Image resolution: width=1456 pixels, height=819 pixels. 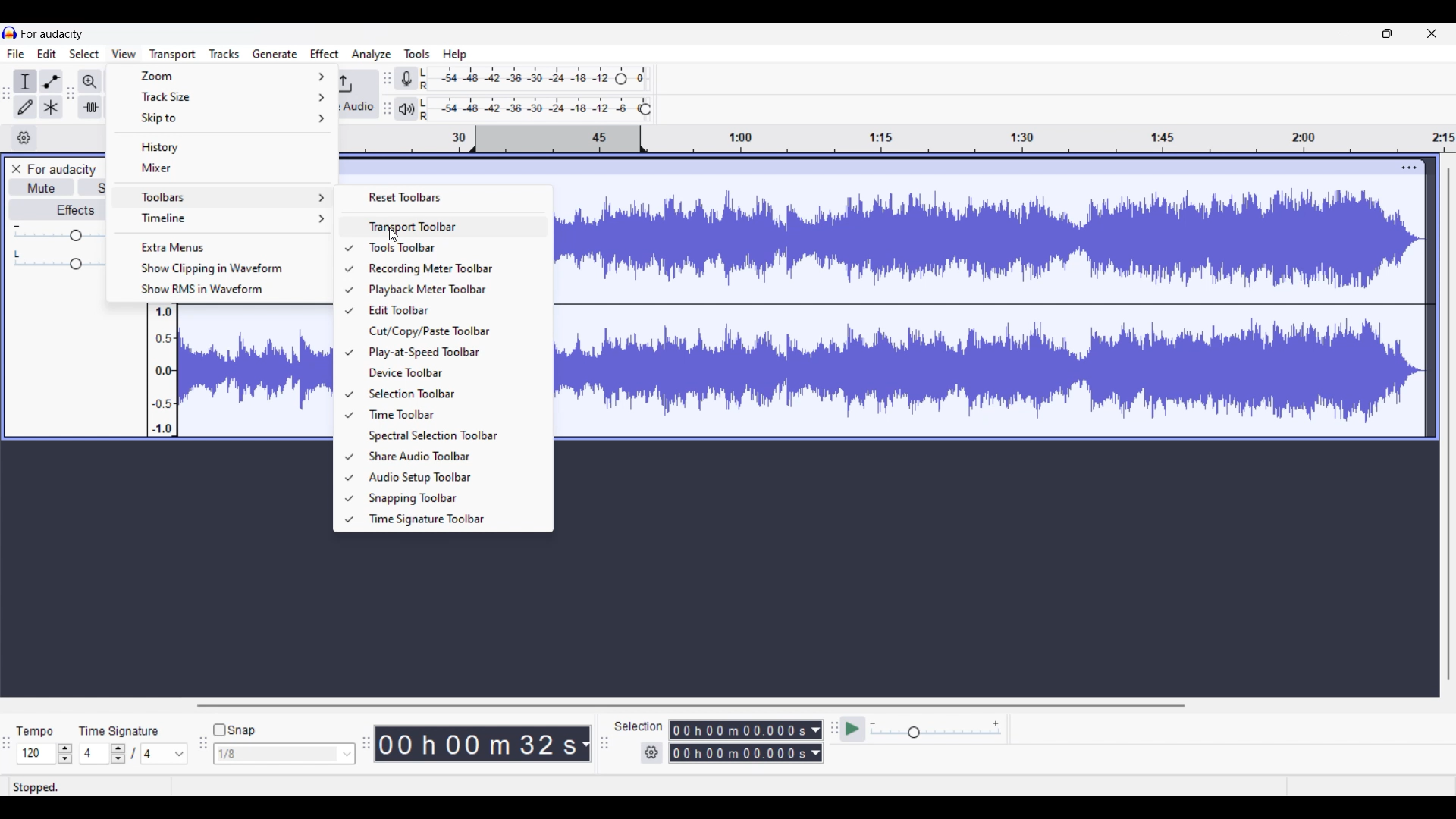 What do you see at coordinates (455, 55) in the screenshot?
I see `Help menu` at bounding box center [455, 55].